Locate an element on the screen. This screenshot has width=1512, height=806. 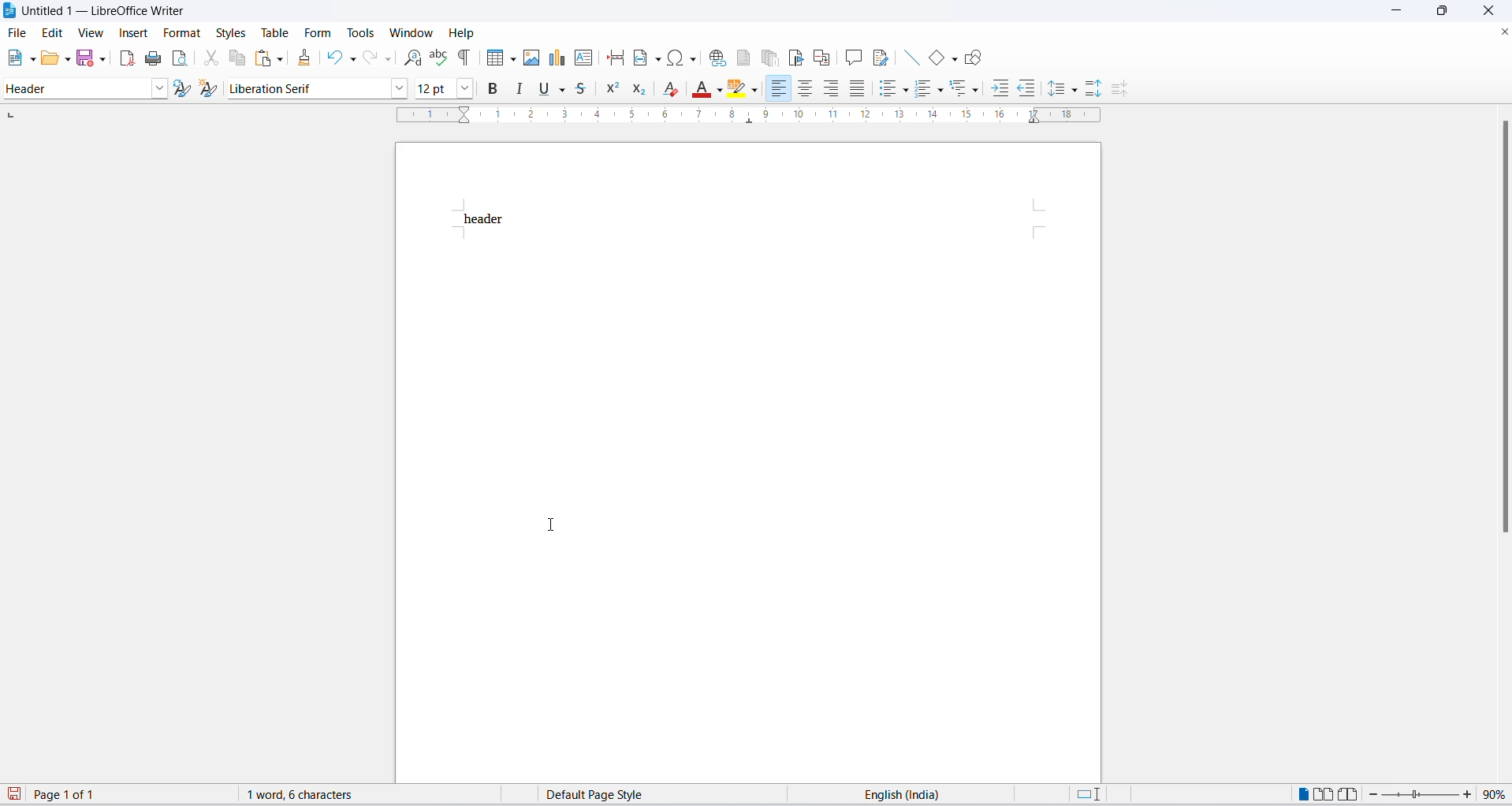
page style is located at coordinates (605, 794).